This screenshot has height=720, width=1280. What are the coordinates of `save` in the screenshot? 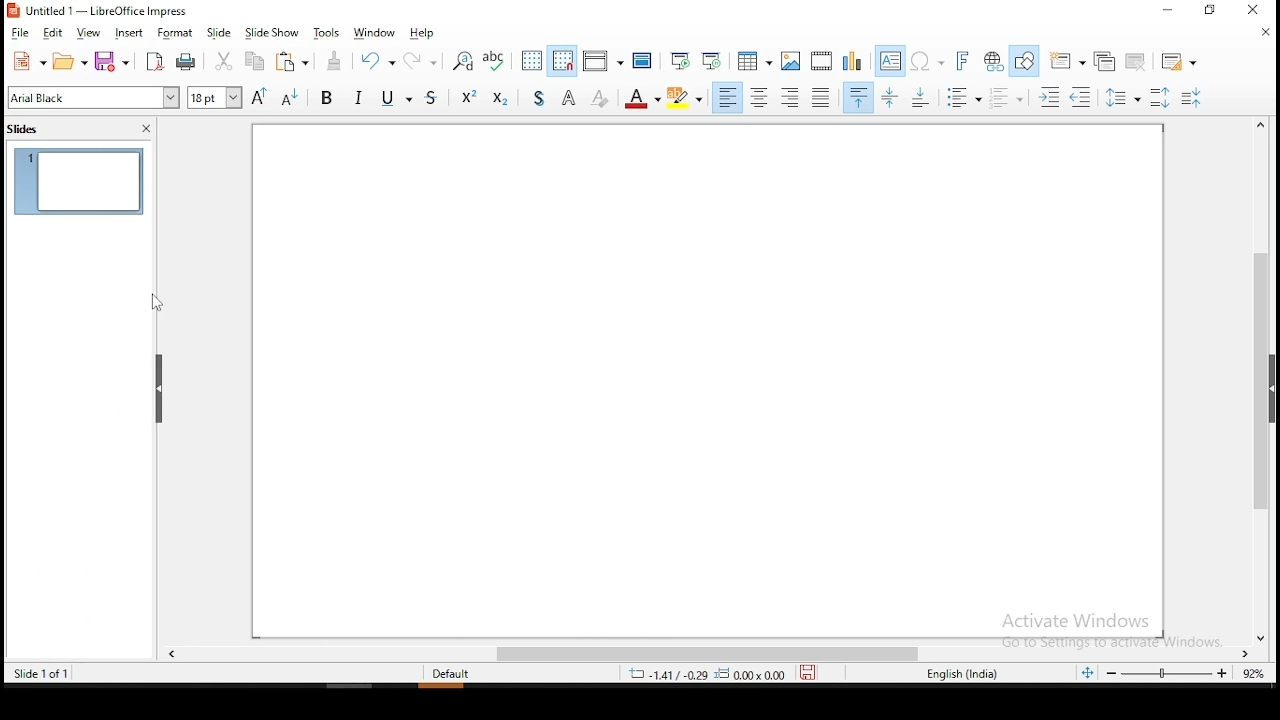 It's located at (815, 674).